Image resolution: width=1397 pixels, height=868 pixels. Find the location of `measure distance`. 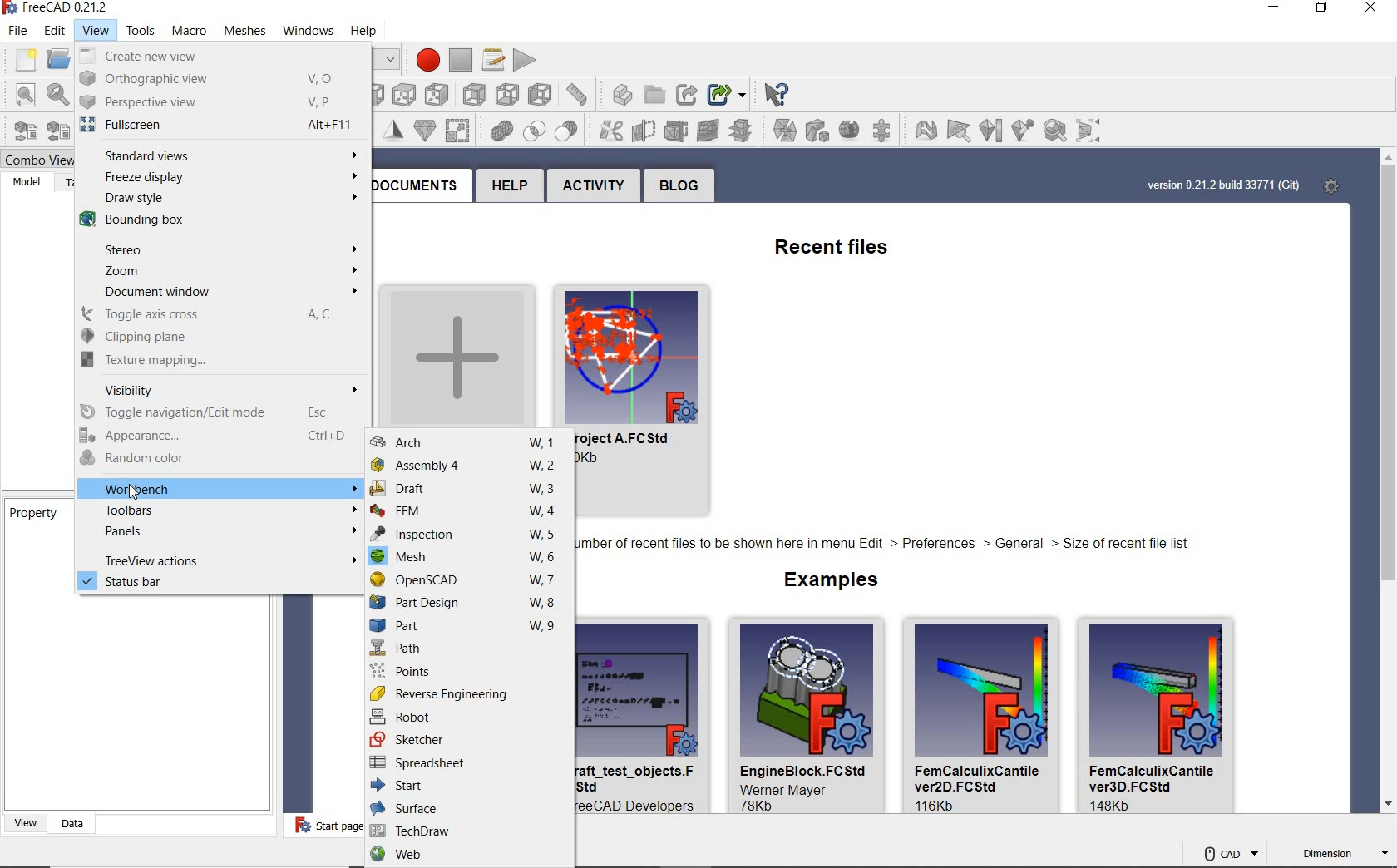

measure distance is located at coordinates (542, 94).